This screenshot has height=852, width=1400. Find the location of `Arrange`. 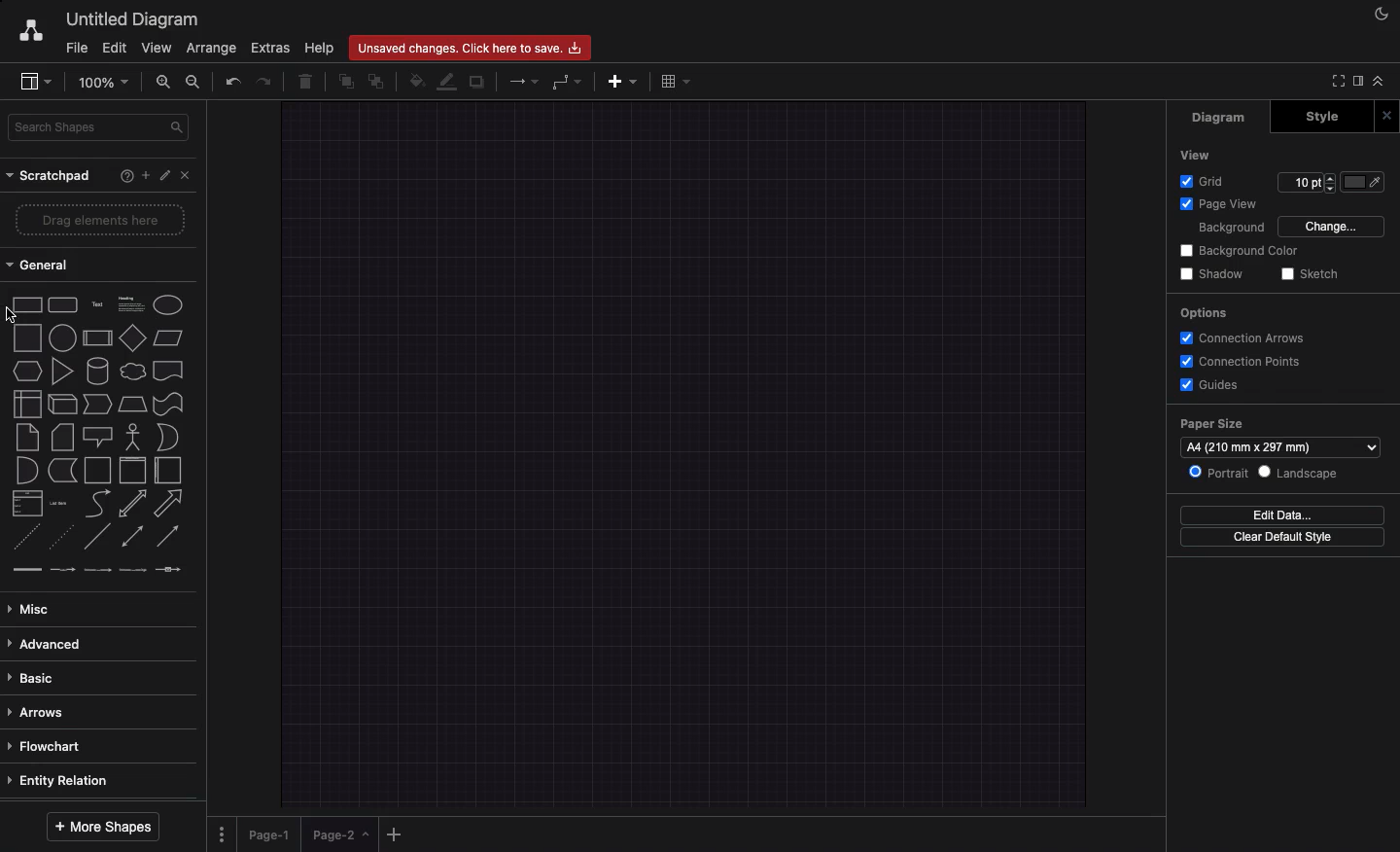

Arrange is located at coordinates (213, 50).